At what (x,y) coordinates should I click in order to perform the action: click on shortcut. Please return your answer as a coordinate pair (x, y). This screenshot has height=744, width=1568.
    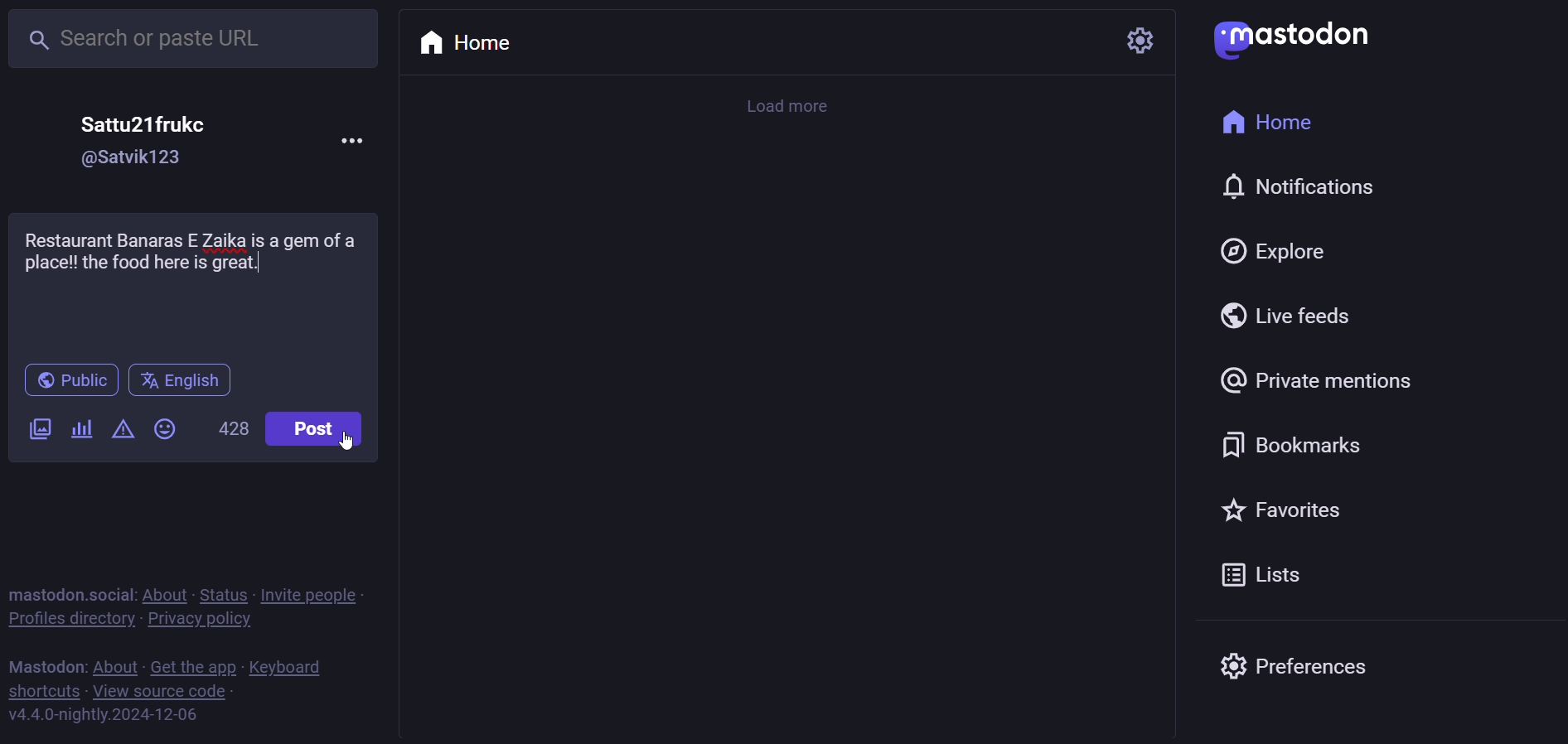
    Looking at the image, I should click on (40, 690).